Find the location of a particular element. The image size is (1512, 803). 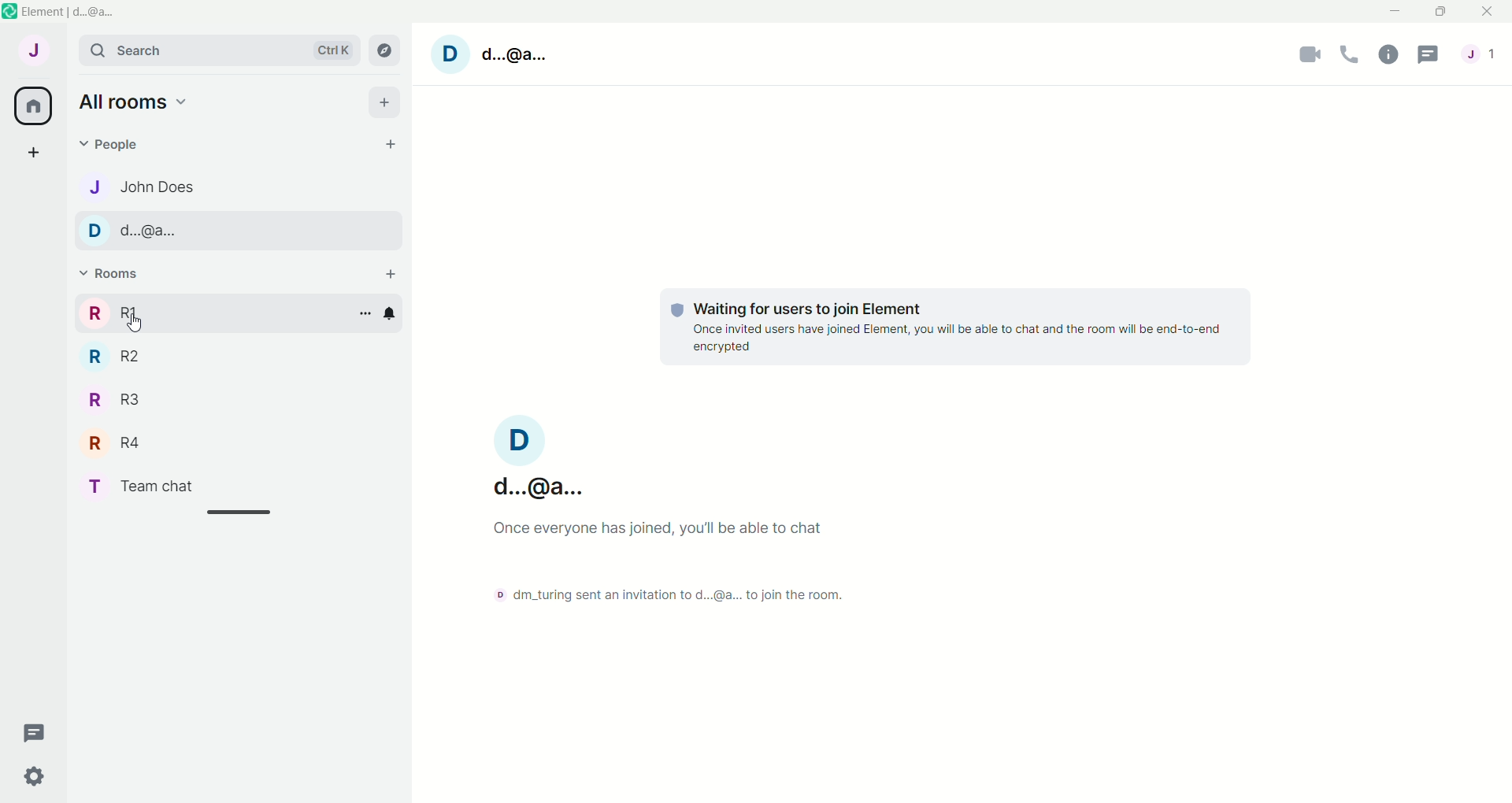

room info is located at coordinates (1388, 56).